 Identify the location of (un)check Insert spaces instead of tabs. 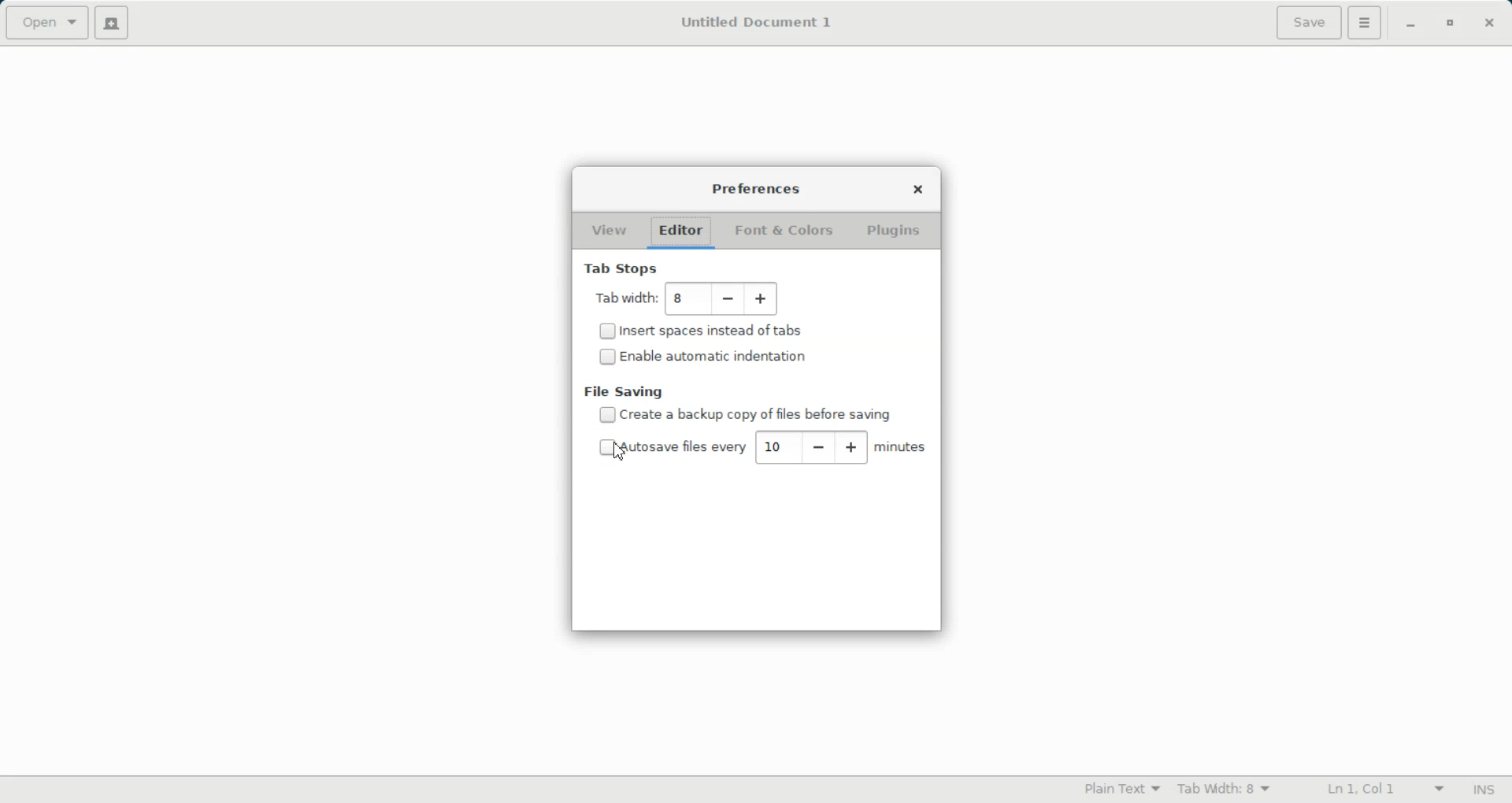
(705, 331).